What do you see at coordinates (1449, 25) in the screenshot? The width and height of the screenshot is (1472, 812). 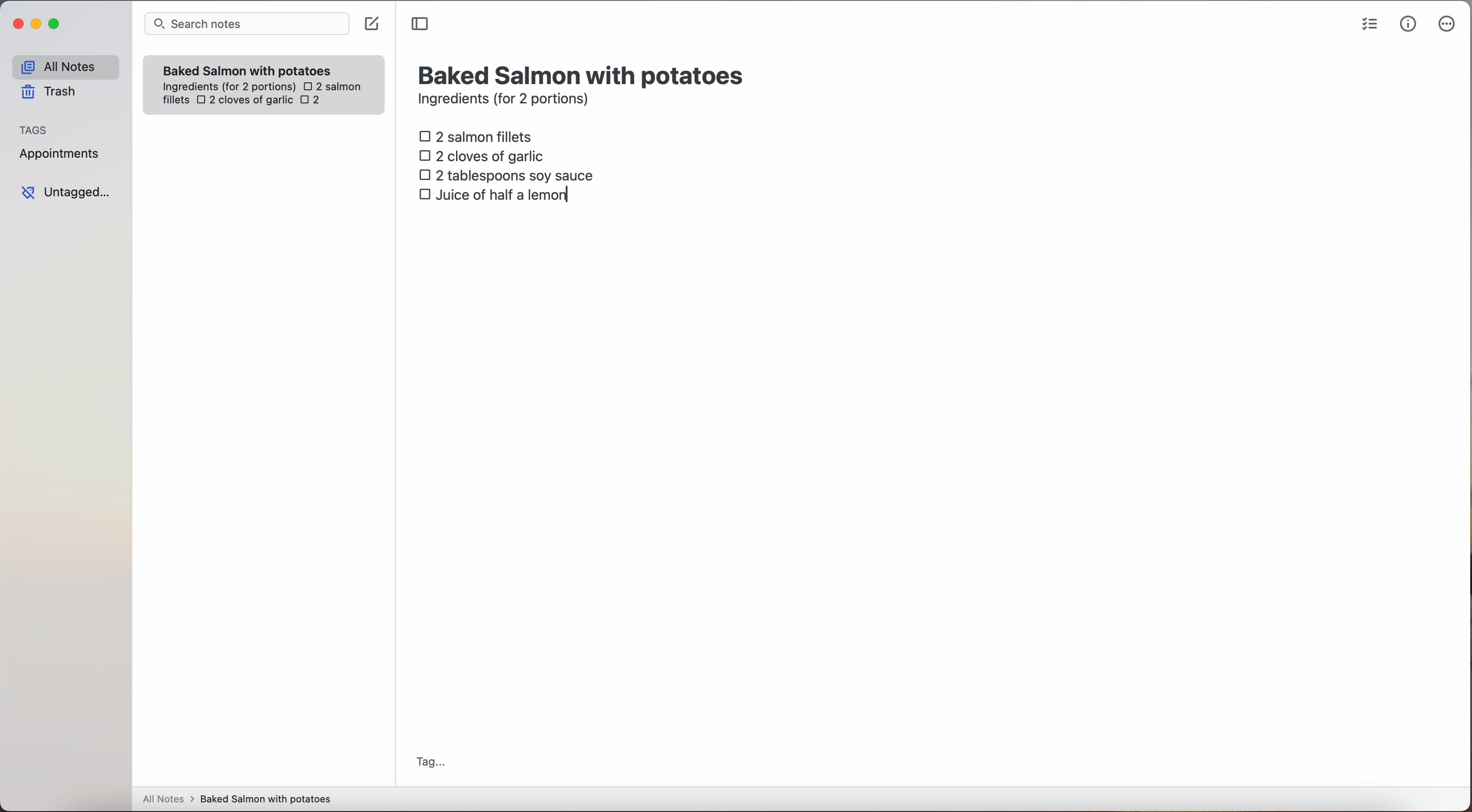 I see `more options` at bounding box center [1449, 25].